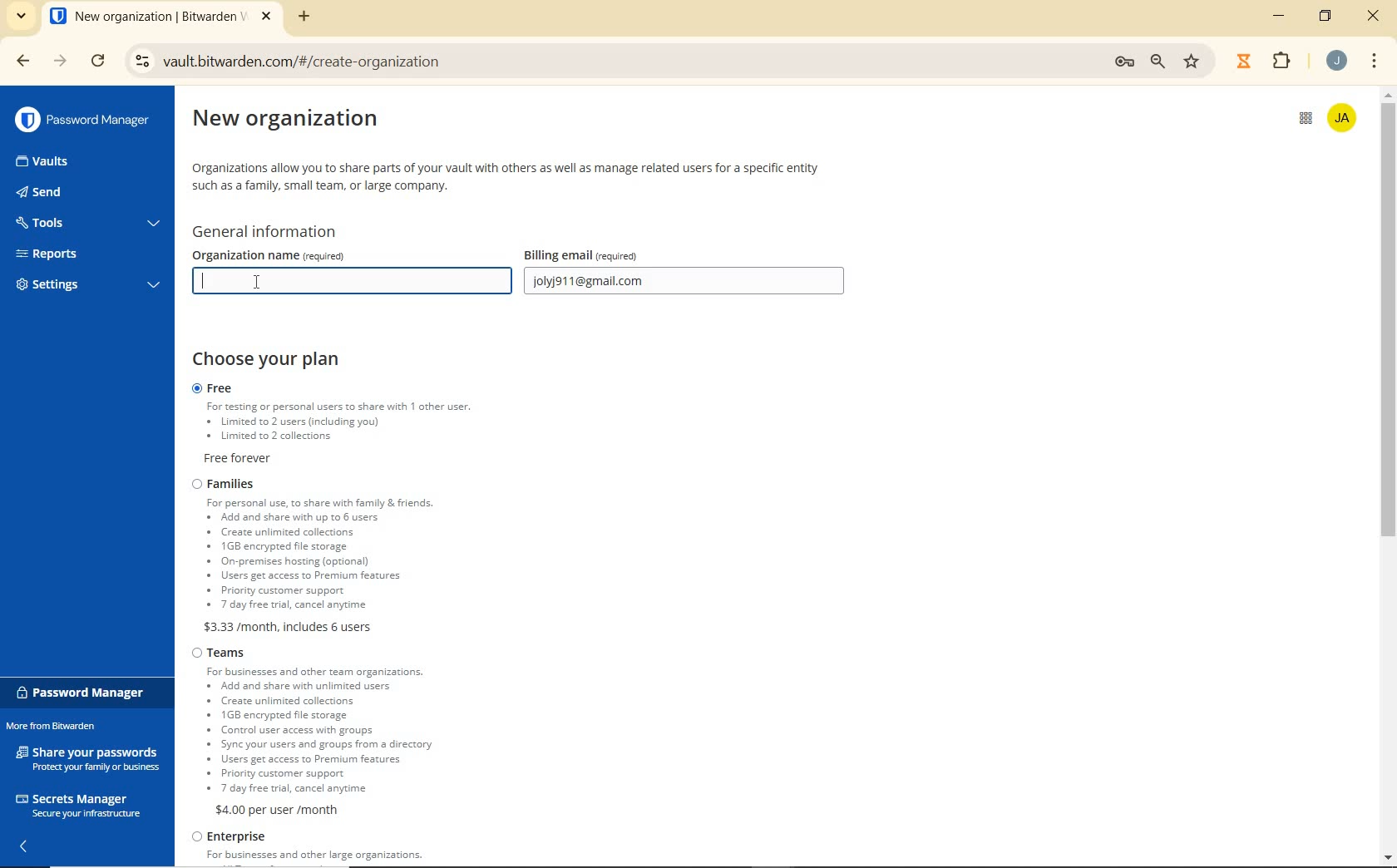  I want to click on ENTER NAME, so click(348, 281).